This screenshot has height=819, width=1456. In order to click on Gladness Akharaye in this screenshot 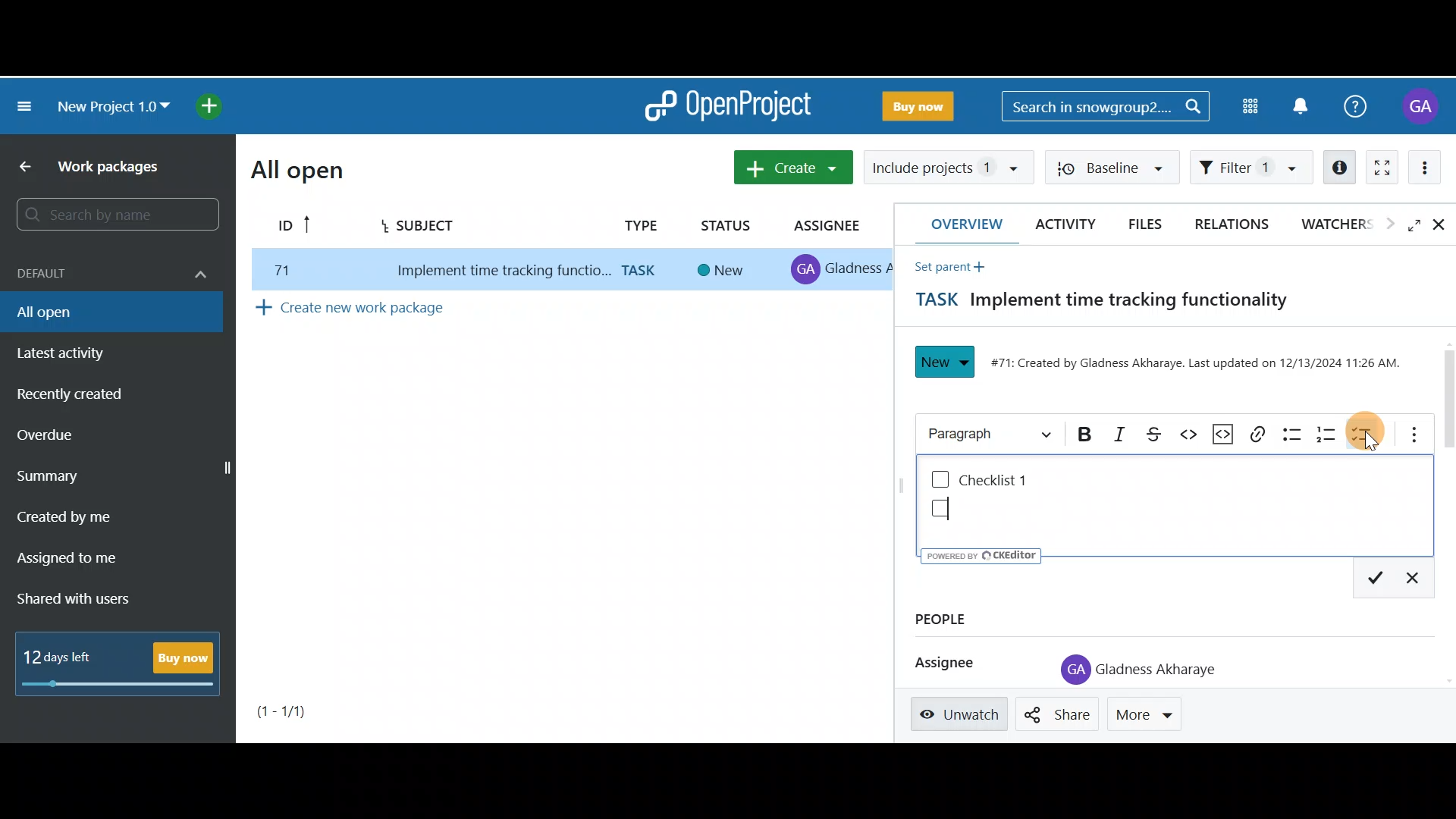, I will do `click(1159, 670)`.